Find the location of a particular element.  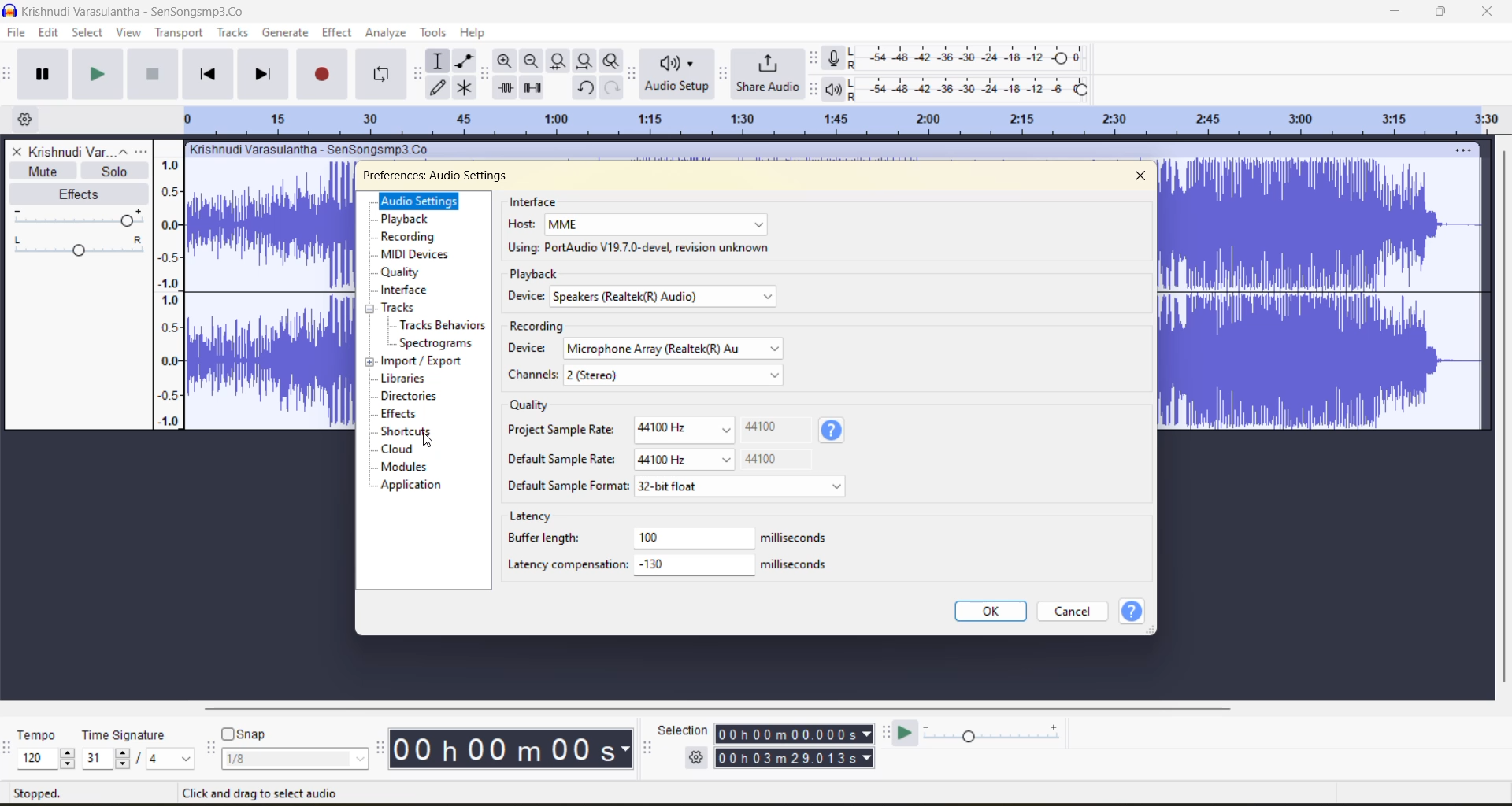

tracks behaviours is located at coordinates (443, 325).